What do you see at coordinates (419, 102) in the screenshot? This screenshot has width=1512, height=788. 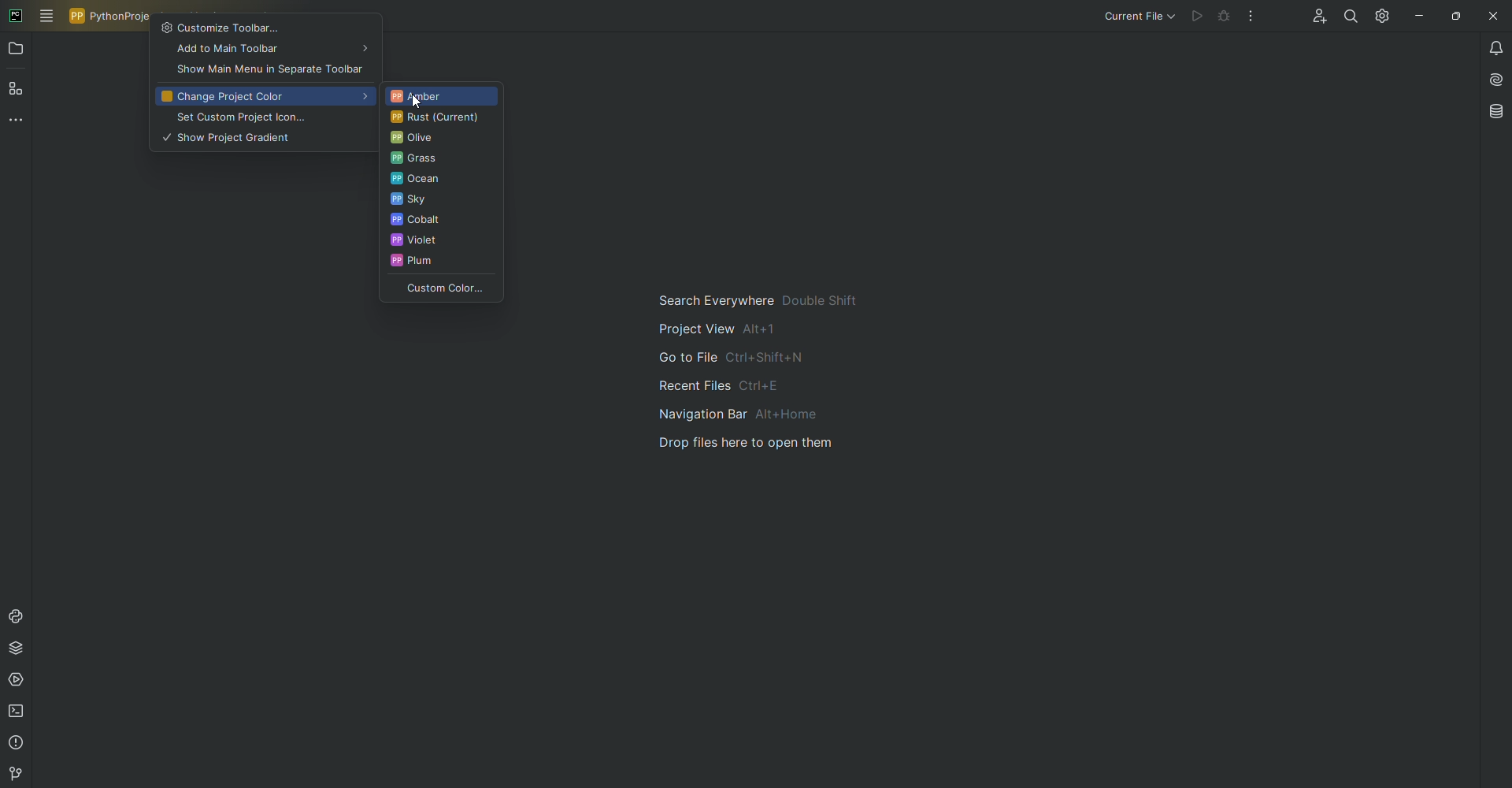 I see `Cursor` at bounding box center [419, 102].